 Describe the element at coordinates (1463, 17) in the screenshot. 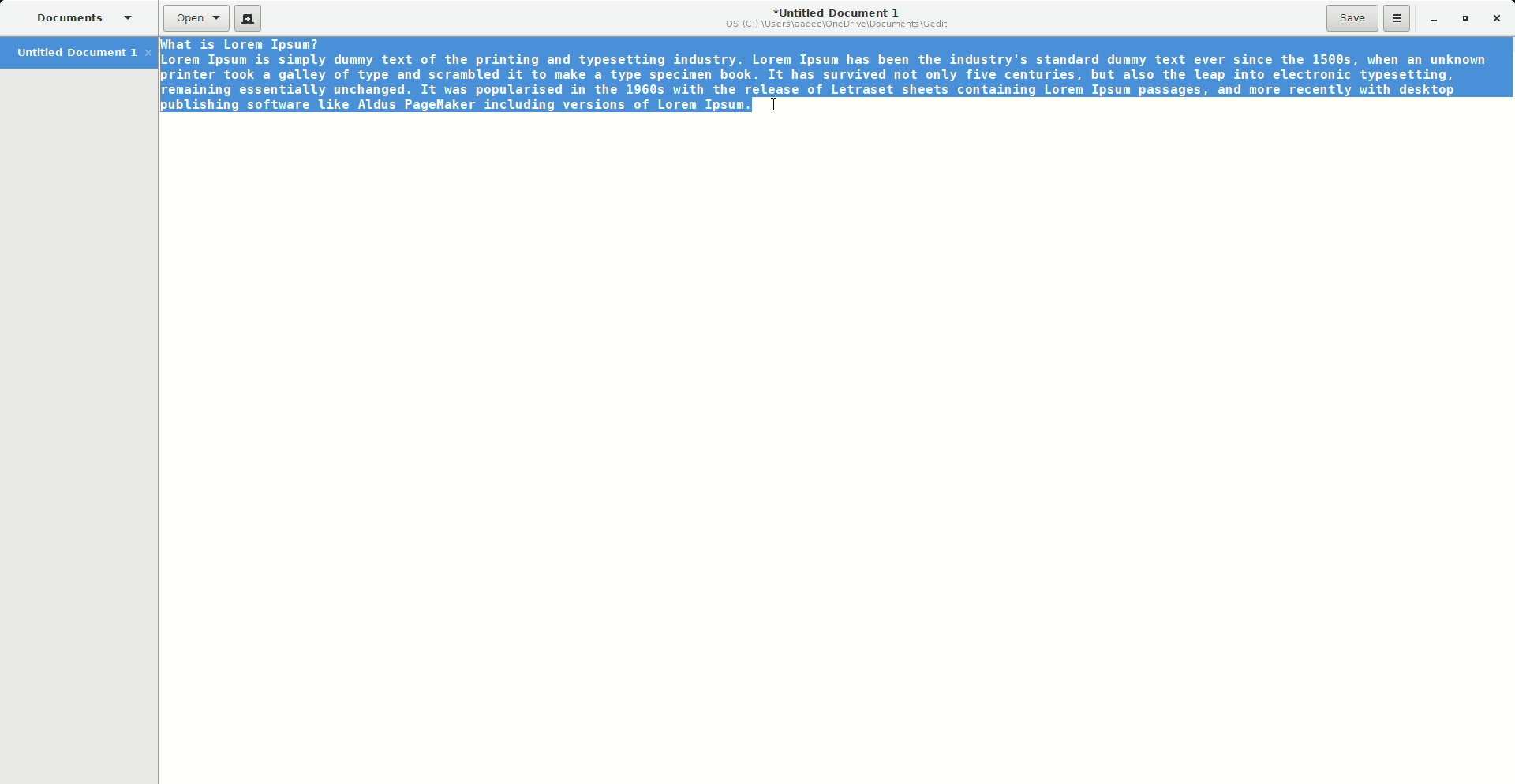

I see `Restore` at that location.